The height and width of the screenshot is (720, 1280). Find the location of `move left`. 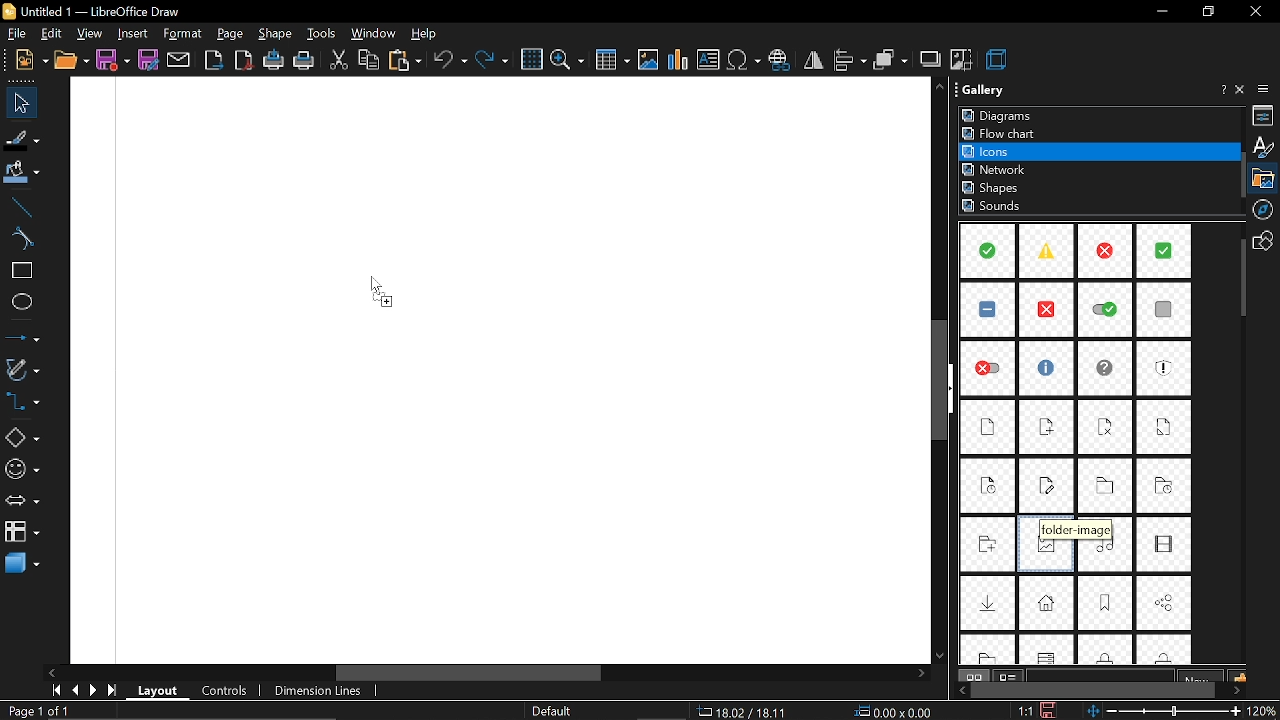

move left is located at coordinates (958, 690).